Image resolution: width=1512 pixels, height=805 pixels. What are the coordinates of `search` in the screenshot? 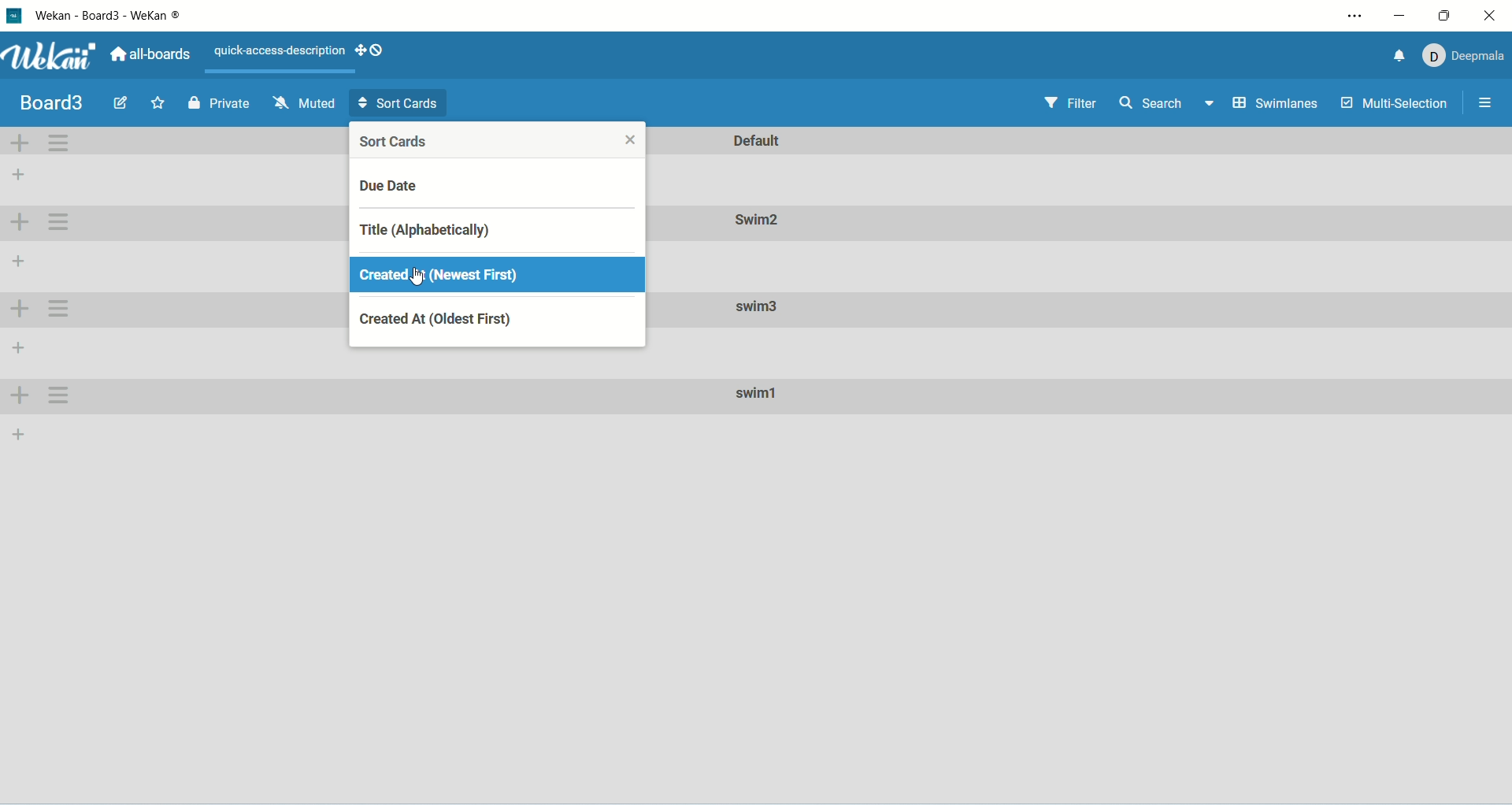 It's located at (1168, 103).